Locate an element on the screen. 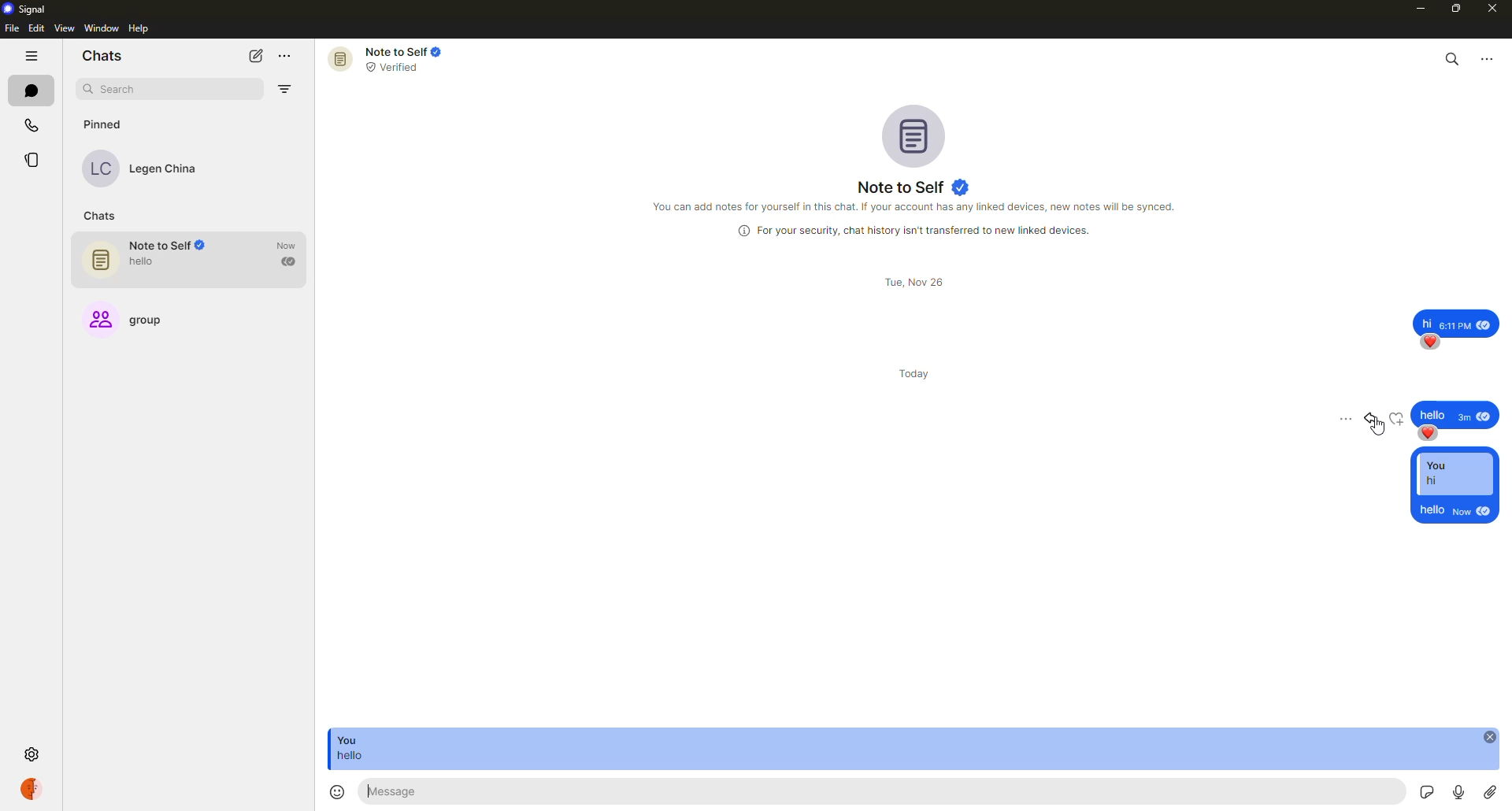 This screenshot has width=1512, height=811. hello is located at coordinates (407, 791).